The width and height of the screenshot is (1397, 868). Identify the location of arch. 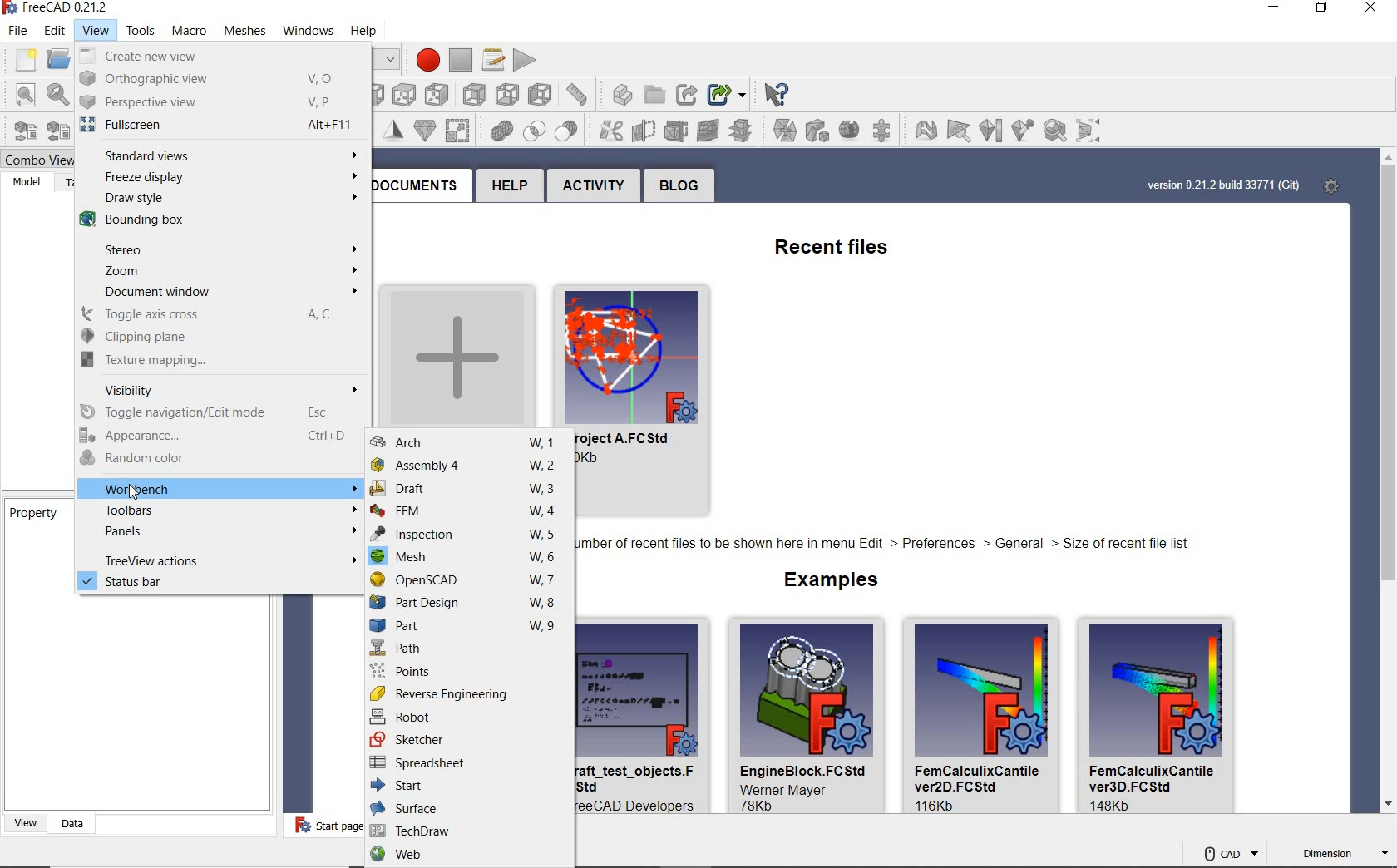
(470, 443).